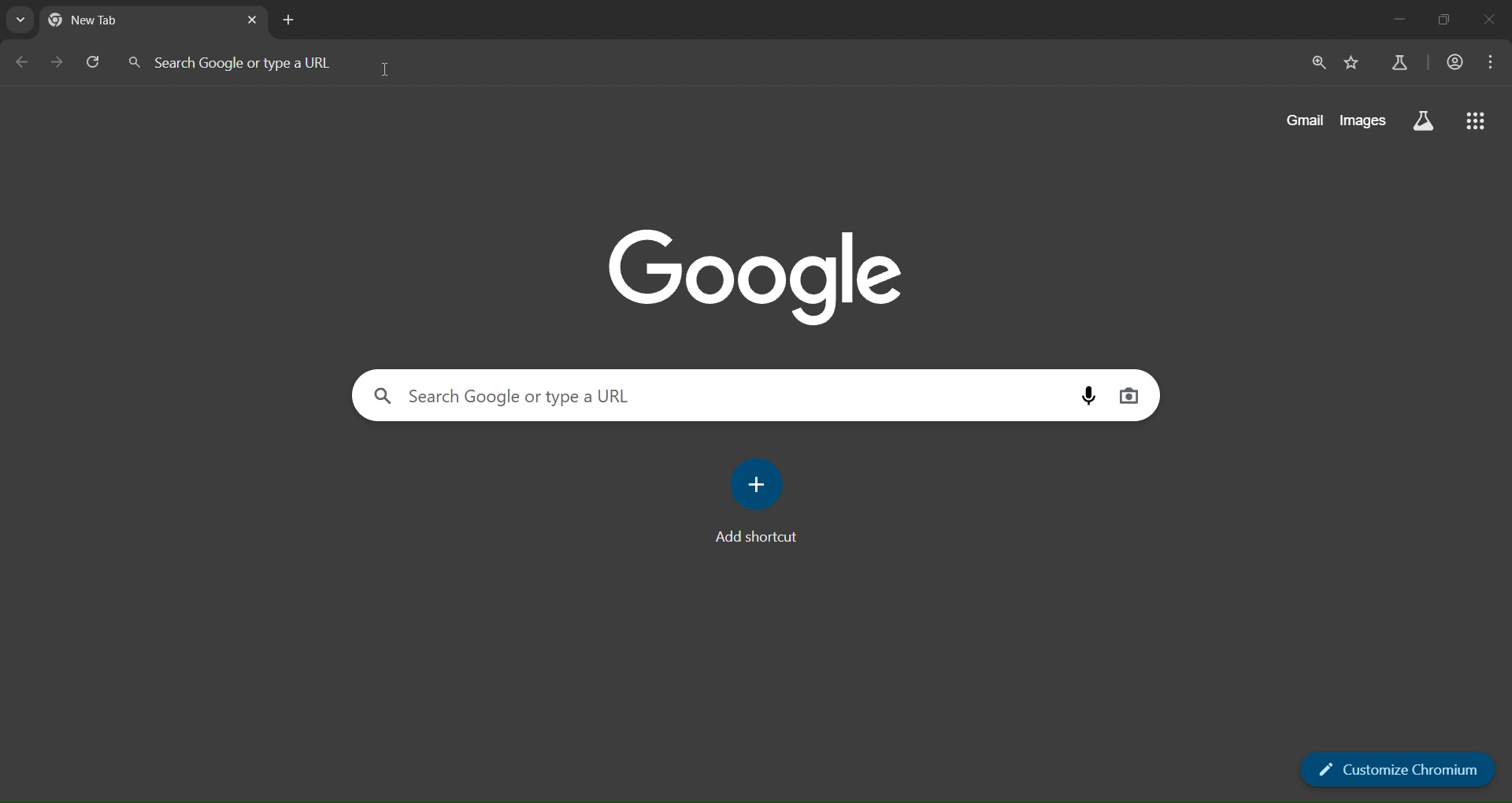  What do you see at coordinates (1356, 67) in the screenshot?
I see `add bookmark` at bounding box center [1356, 67].